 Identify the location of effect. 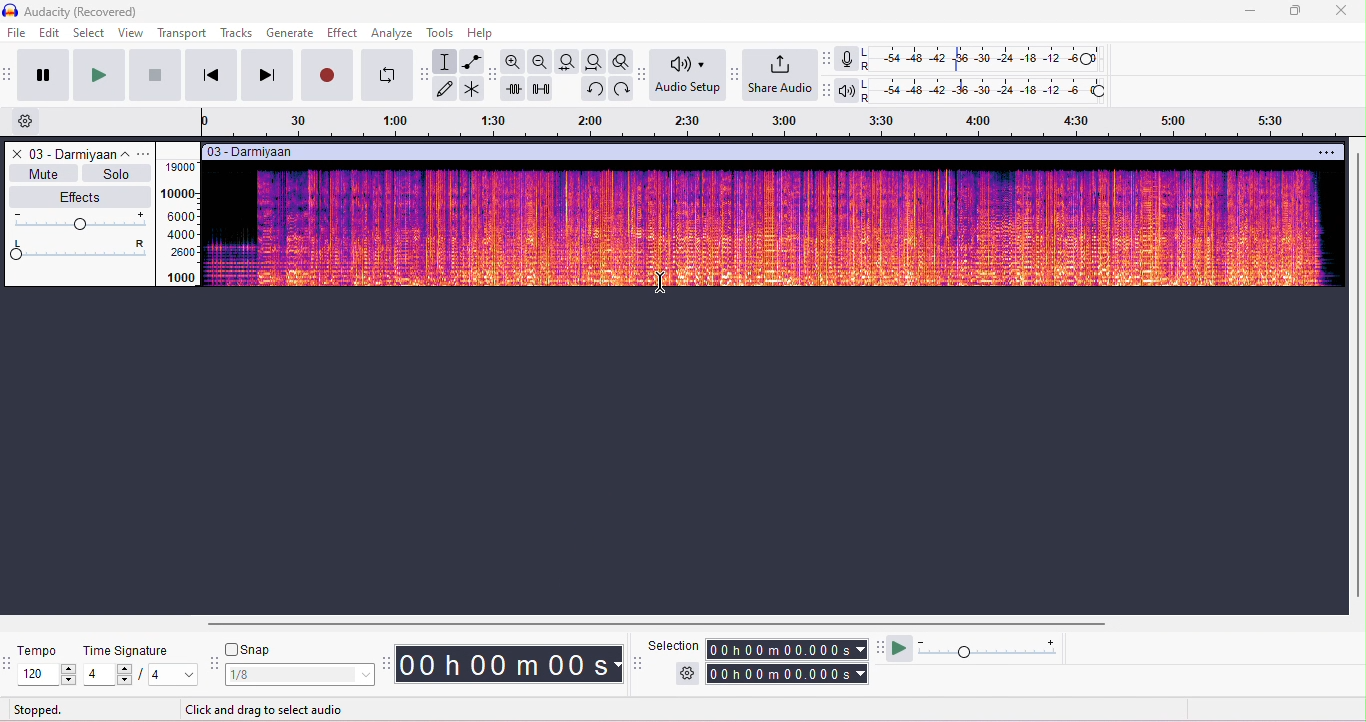
(342, 34).